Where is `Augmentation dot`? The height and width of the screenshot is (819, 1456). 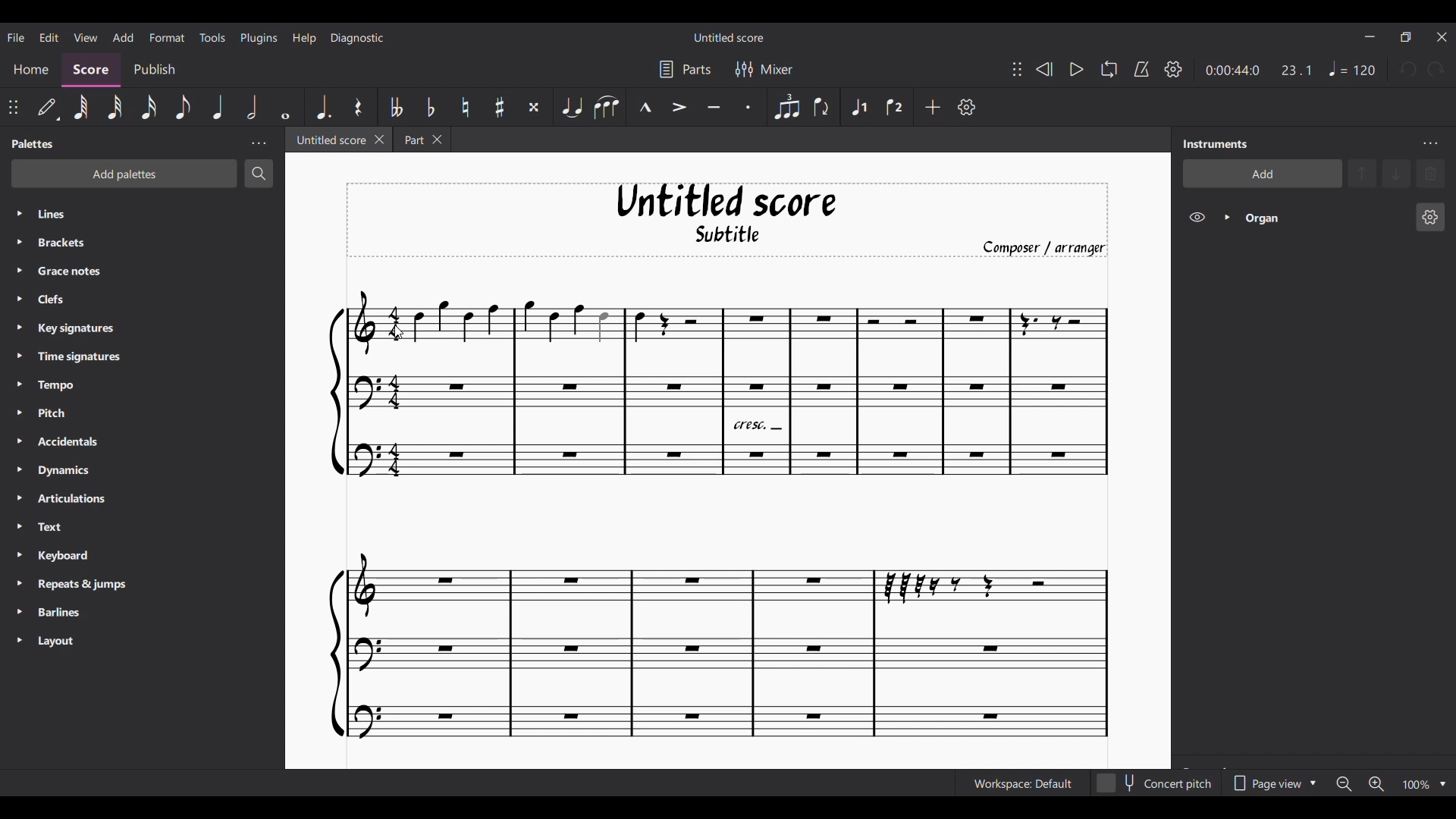 Augmentation dot is located at coordinates (322, 107).